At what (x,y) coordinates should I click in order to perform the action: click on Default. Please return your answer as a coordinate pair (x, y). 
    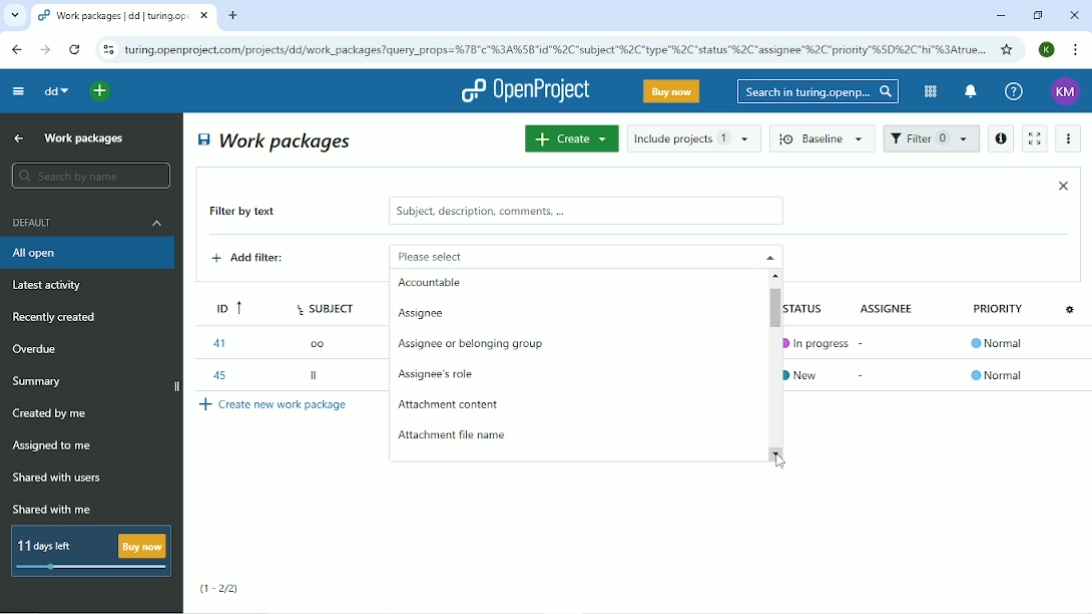
    Looking at the image, I should click on (89, 222).